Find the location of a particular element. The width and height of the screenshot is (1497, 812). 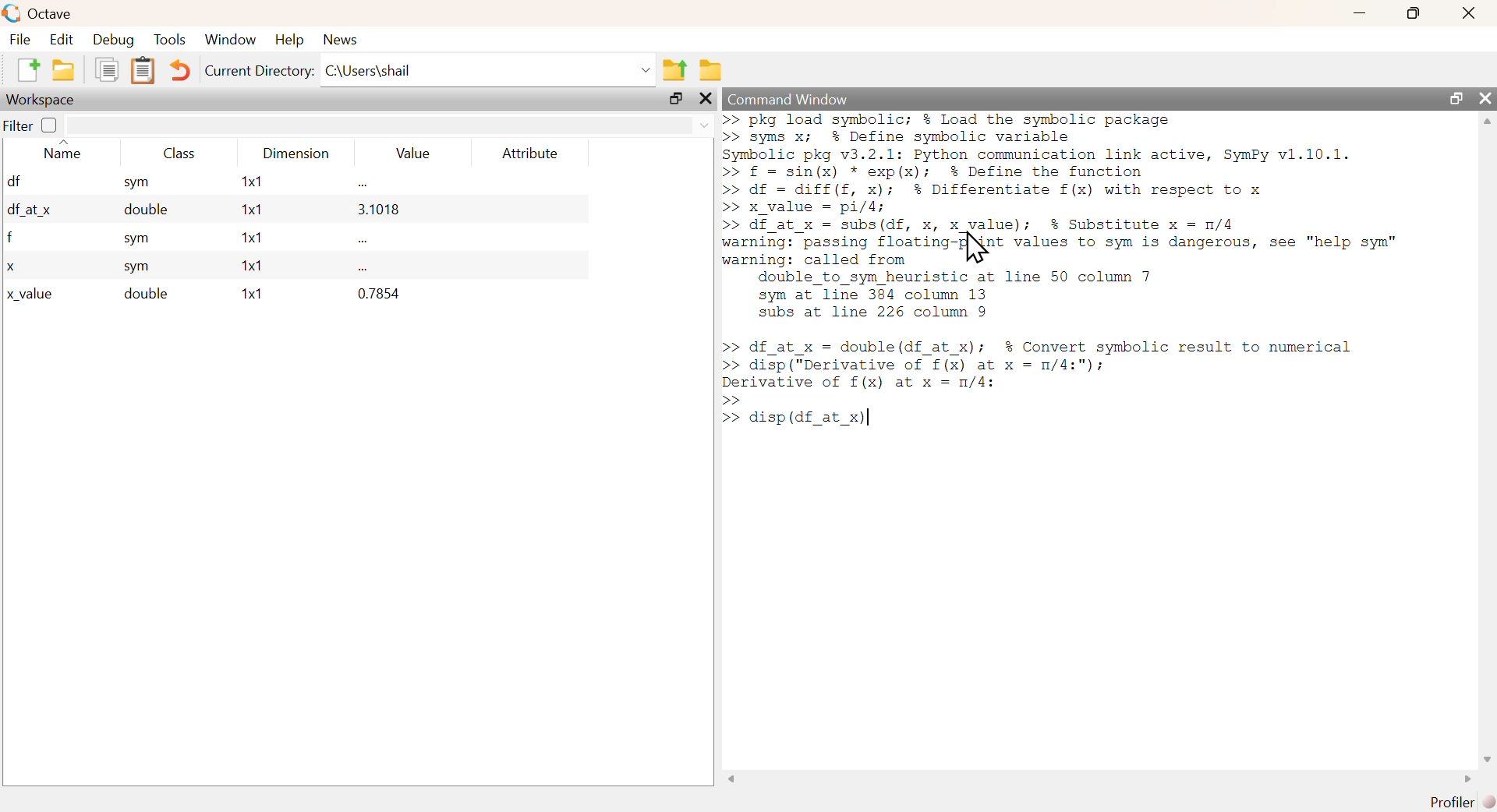

Attribute is located at coordinates (531, 153).